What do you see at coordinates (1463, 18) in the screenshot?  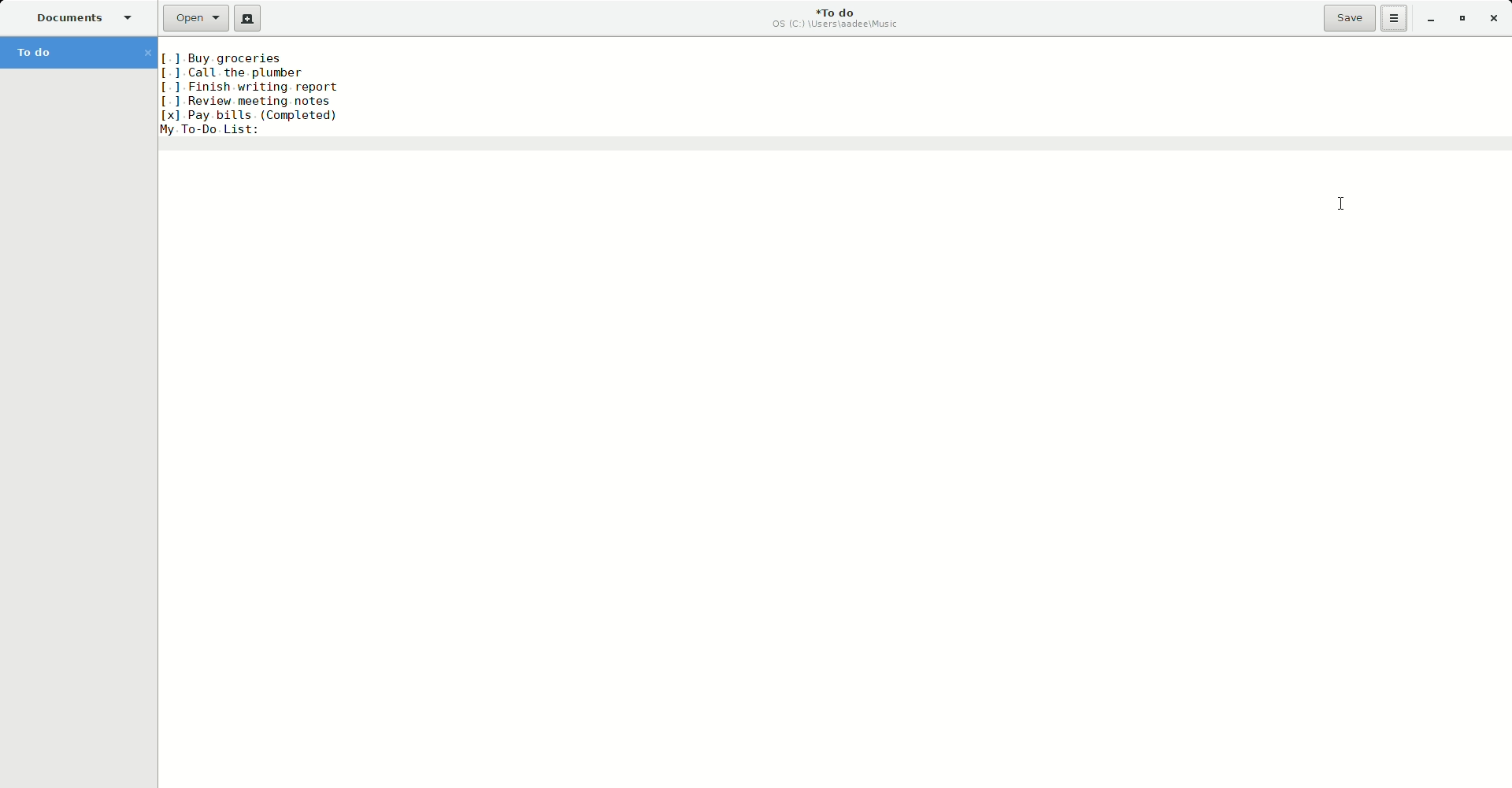 I see `Restore` at bounding box center [1463, 18].